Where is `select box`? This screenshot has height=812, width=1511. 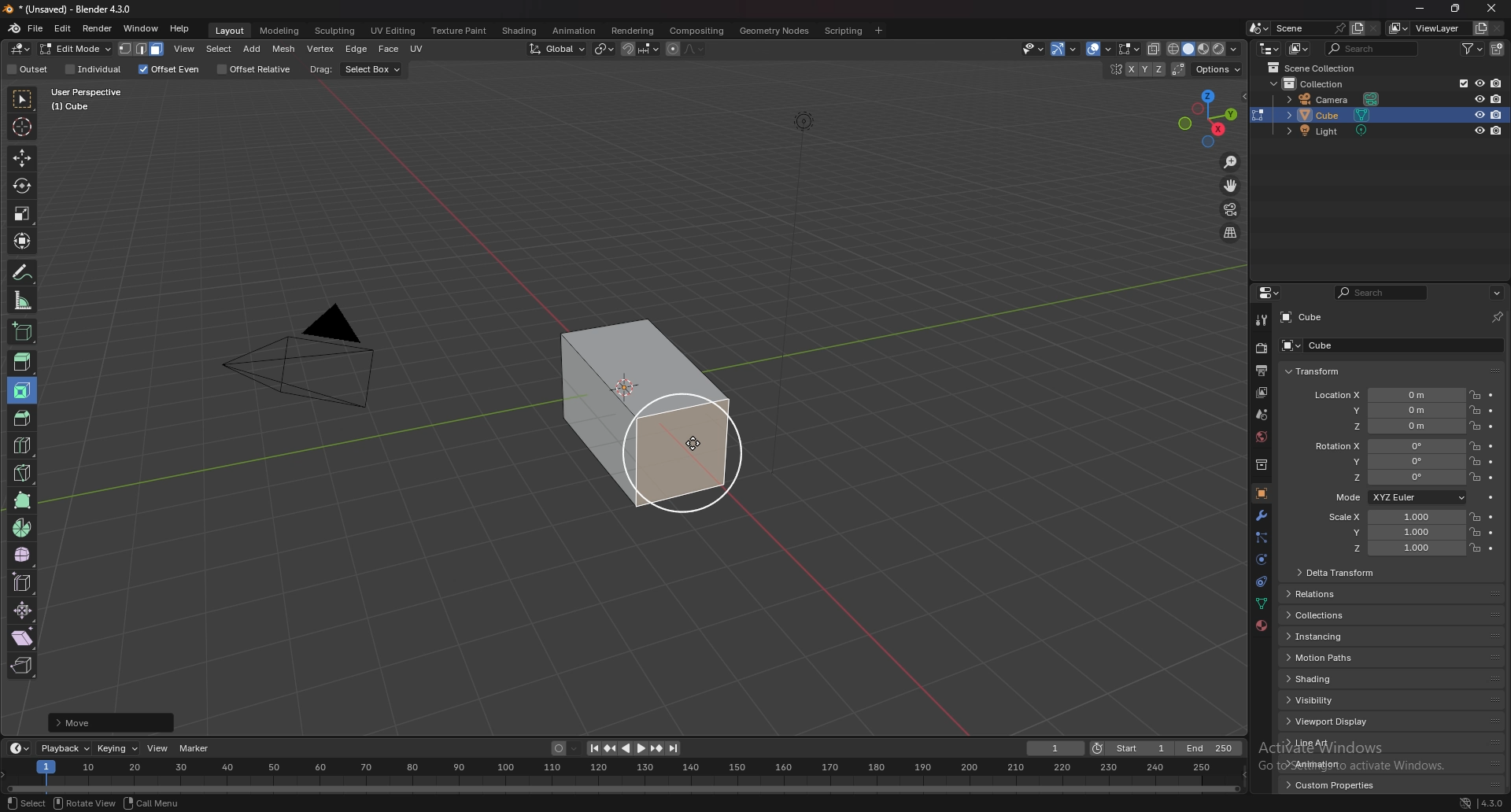
select box is located at coordinates (372, 70).